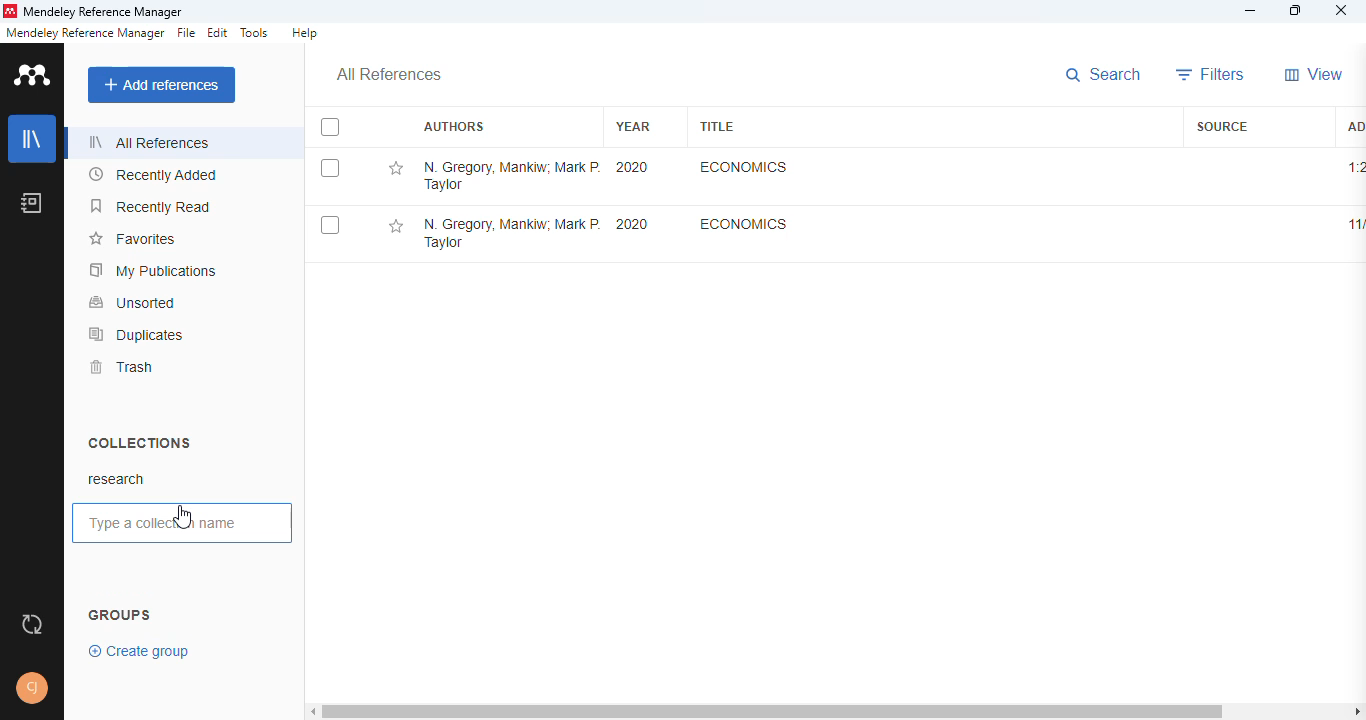 This screenshot has height=720, width=1366. I want to click on sync, so click(32, 625).